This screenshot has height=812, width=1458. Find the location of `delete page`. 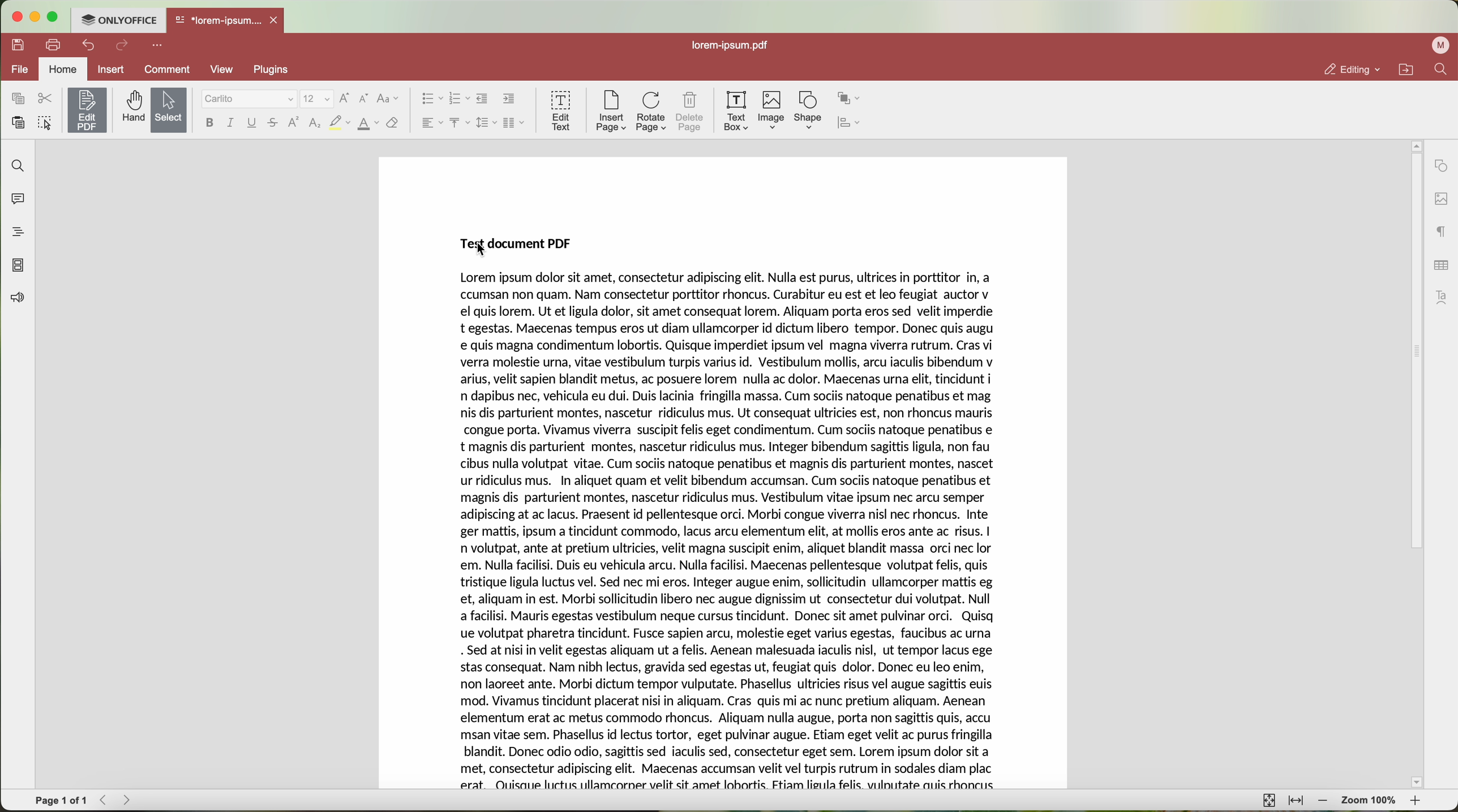

delete page is located at coordinates (690, 111).